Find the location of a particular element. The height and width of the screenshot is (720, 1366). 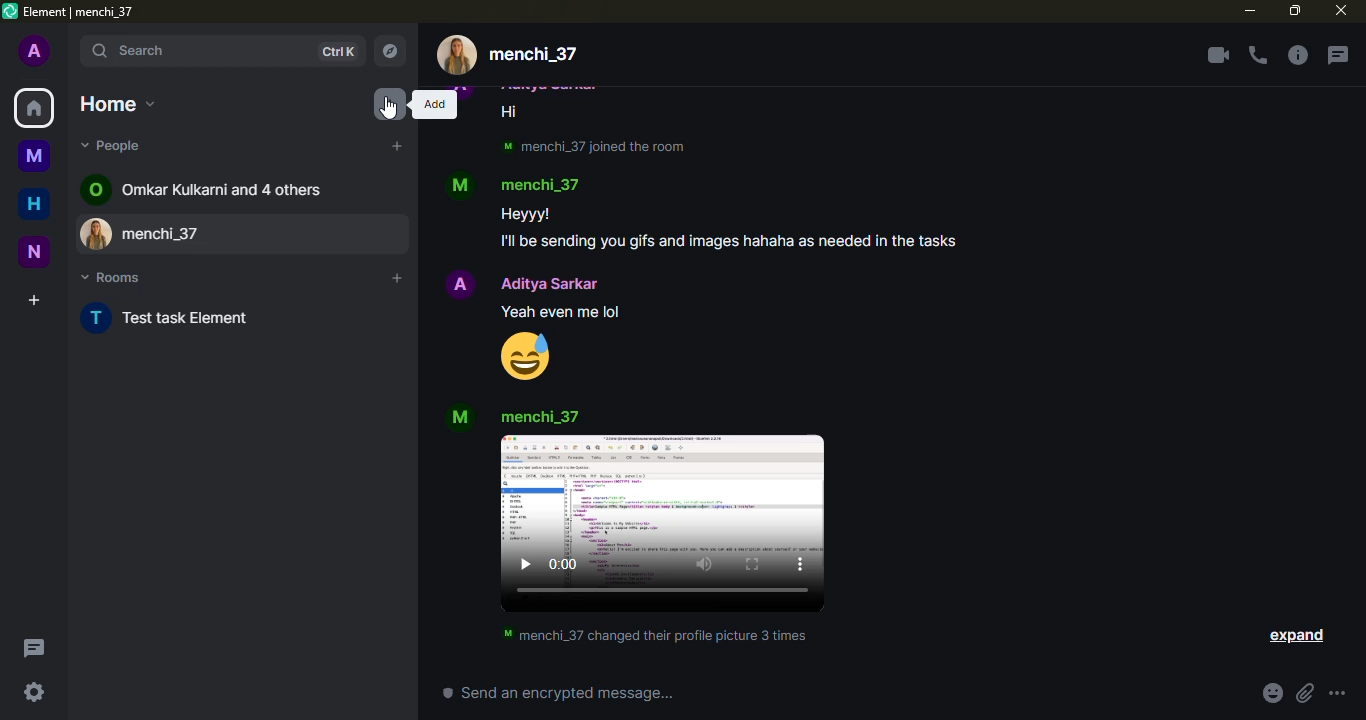

myspace is located at coordinates (34, 155).